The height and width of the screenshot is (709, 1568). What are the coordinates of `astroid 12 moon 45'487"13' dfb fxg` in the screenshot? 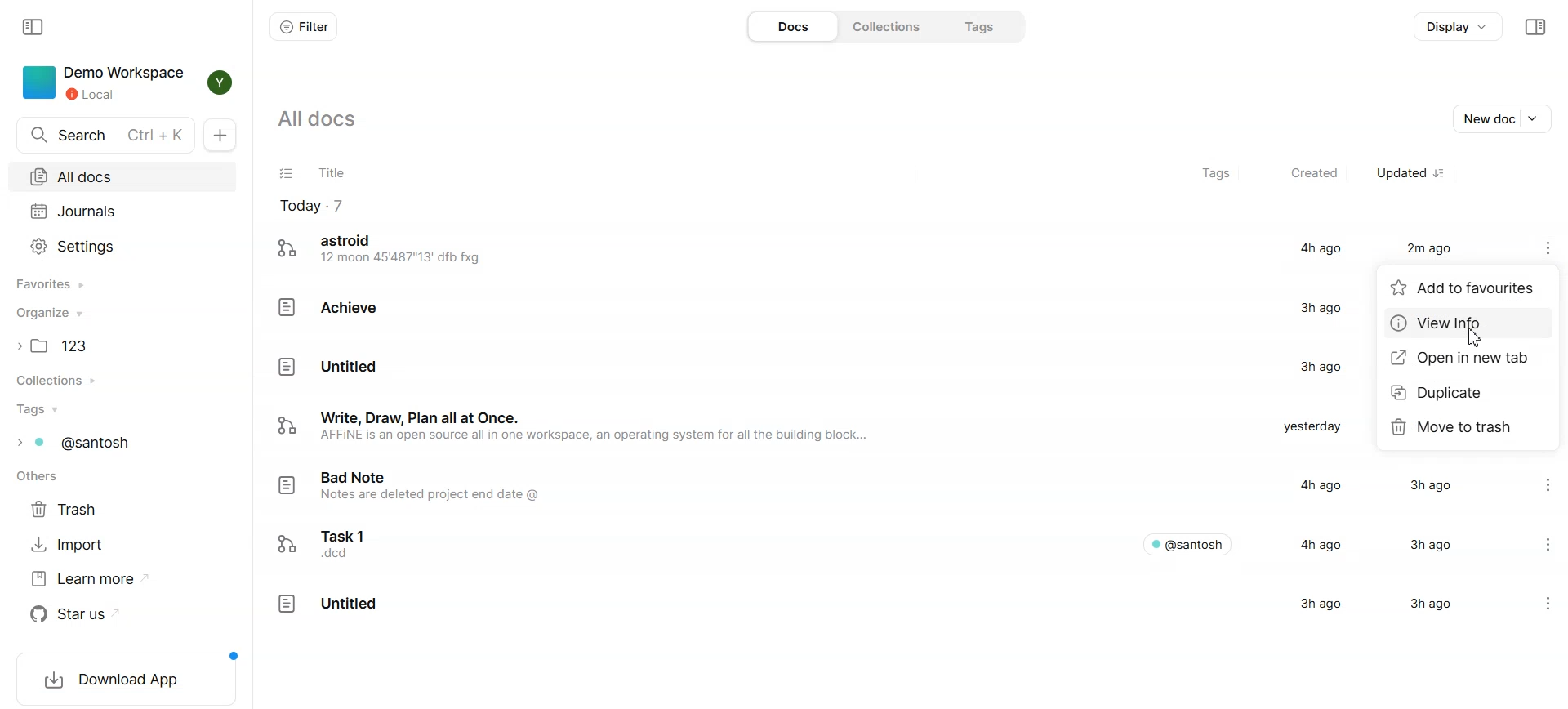 It's located at (384, 251).